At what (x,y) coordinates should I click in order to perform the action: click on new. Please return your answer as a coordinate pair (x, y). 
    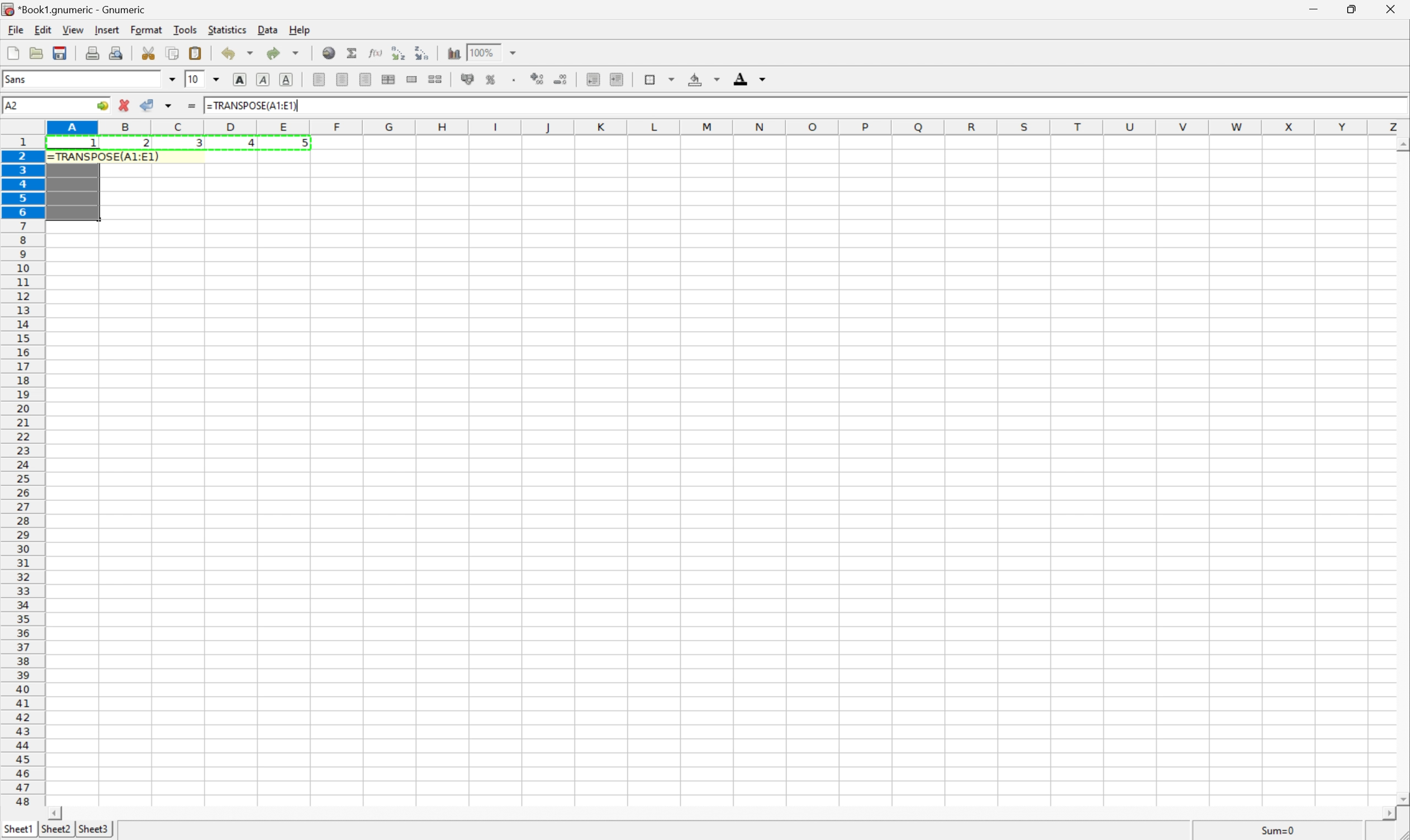
    Looking at the image, I should click on (14, 52).